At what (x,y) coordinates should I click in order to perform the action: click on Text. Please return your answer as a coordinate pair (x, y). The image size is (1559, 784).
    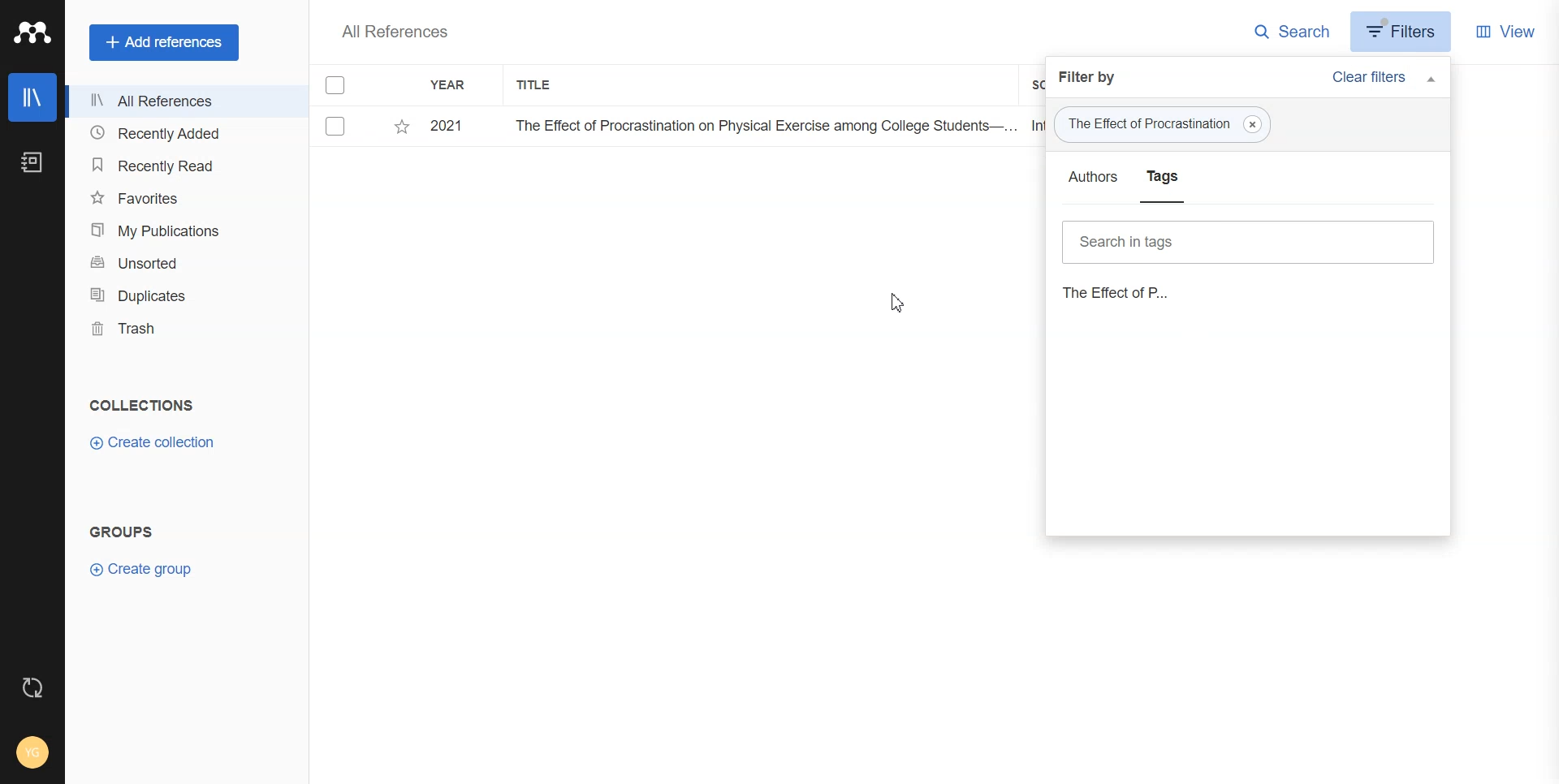
    Looking at the image, I should click on (145, 405).